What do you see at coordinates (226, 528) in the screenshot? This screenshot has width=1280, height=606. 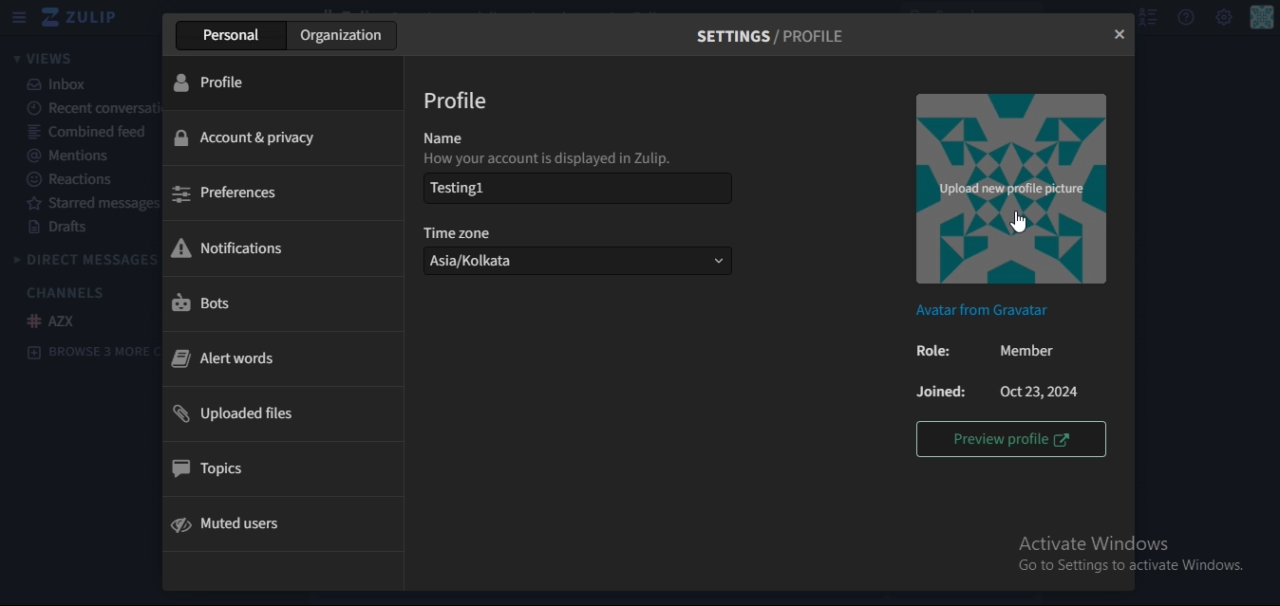 I see `mute users` at bounding box center [226, 528].